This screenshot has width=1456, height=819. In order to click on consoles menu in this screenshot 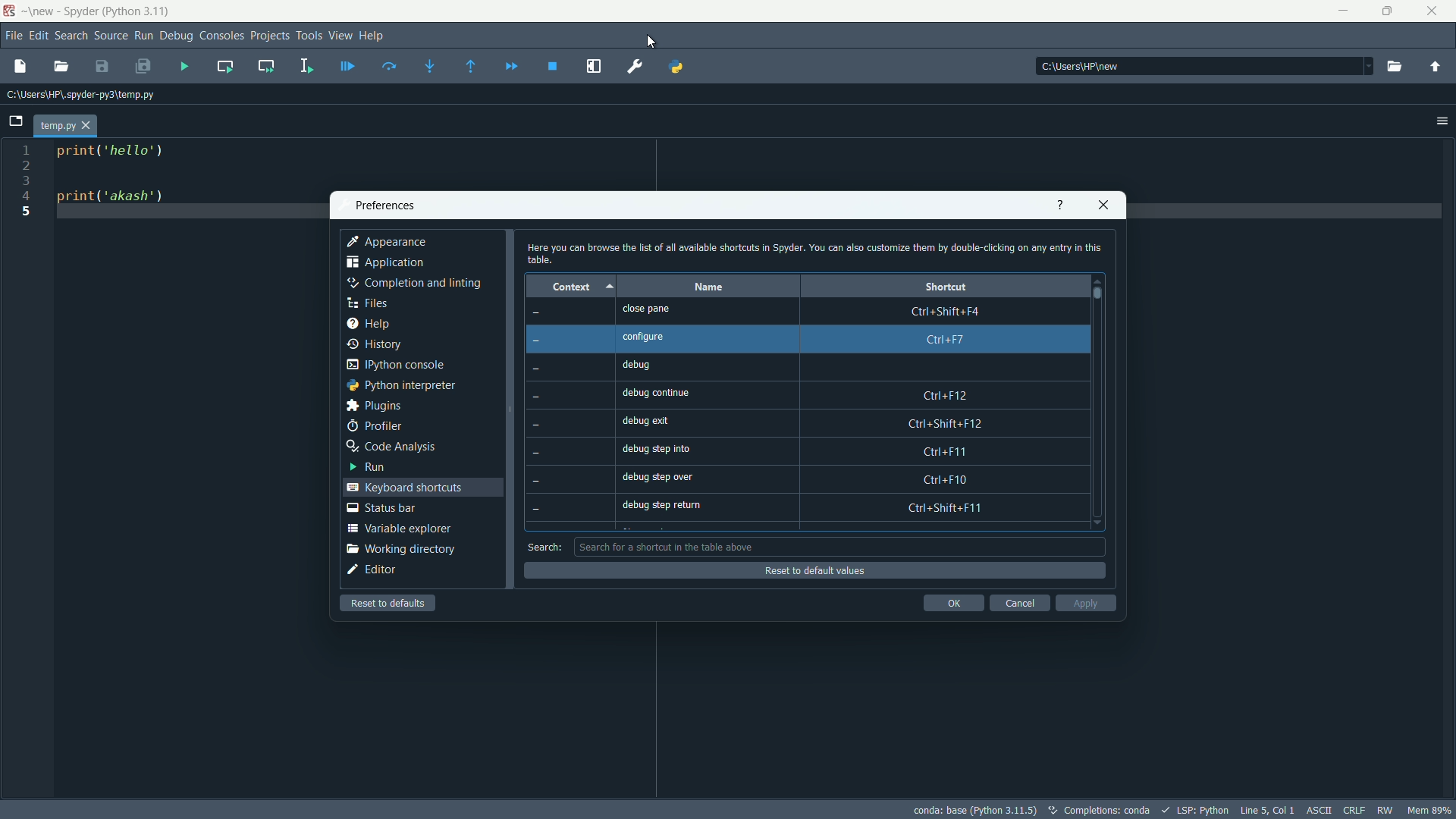, I will do `click(222, 36)`.